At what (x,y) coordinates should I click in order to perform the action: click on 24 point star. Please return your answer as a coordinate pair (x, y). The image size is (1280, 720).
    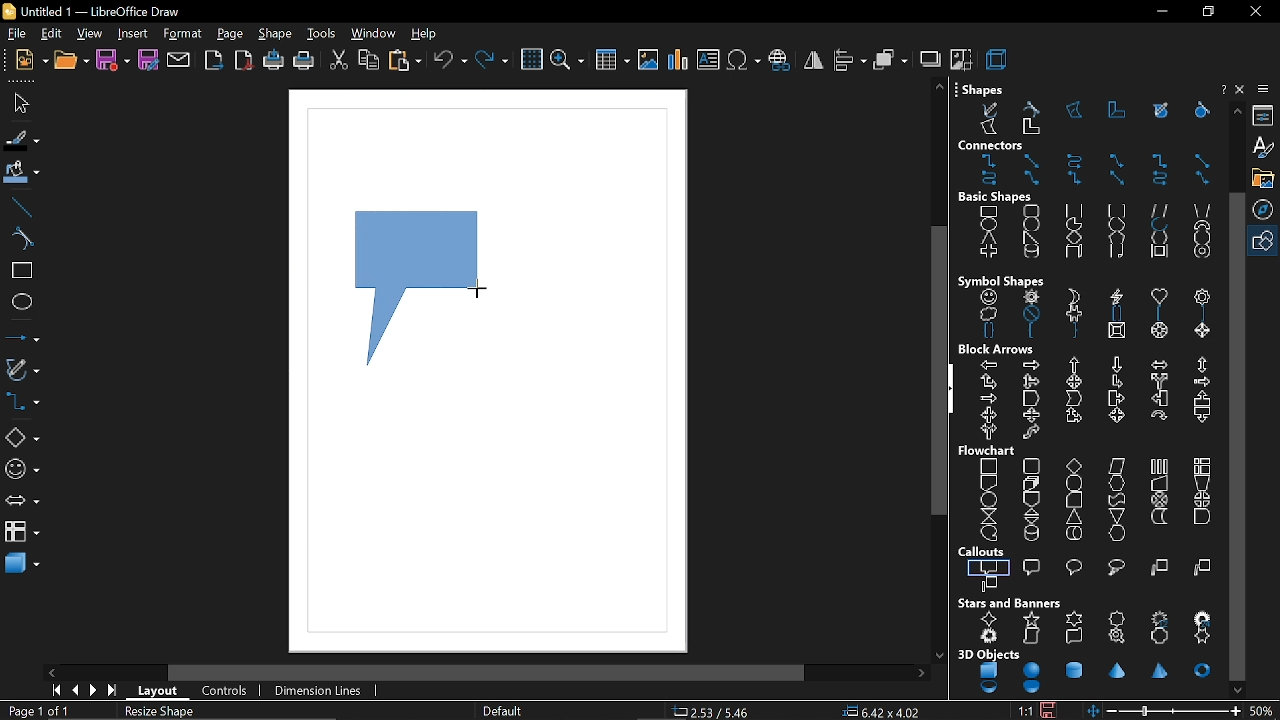
    Looking at the image, I should click on (1203, 617).